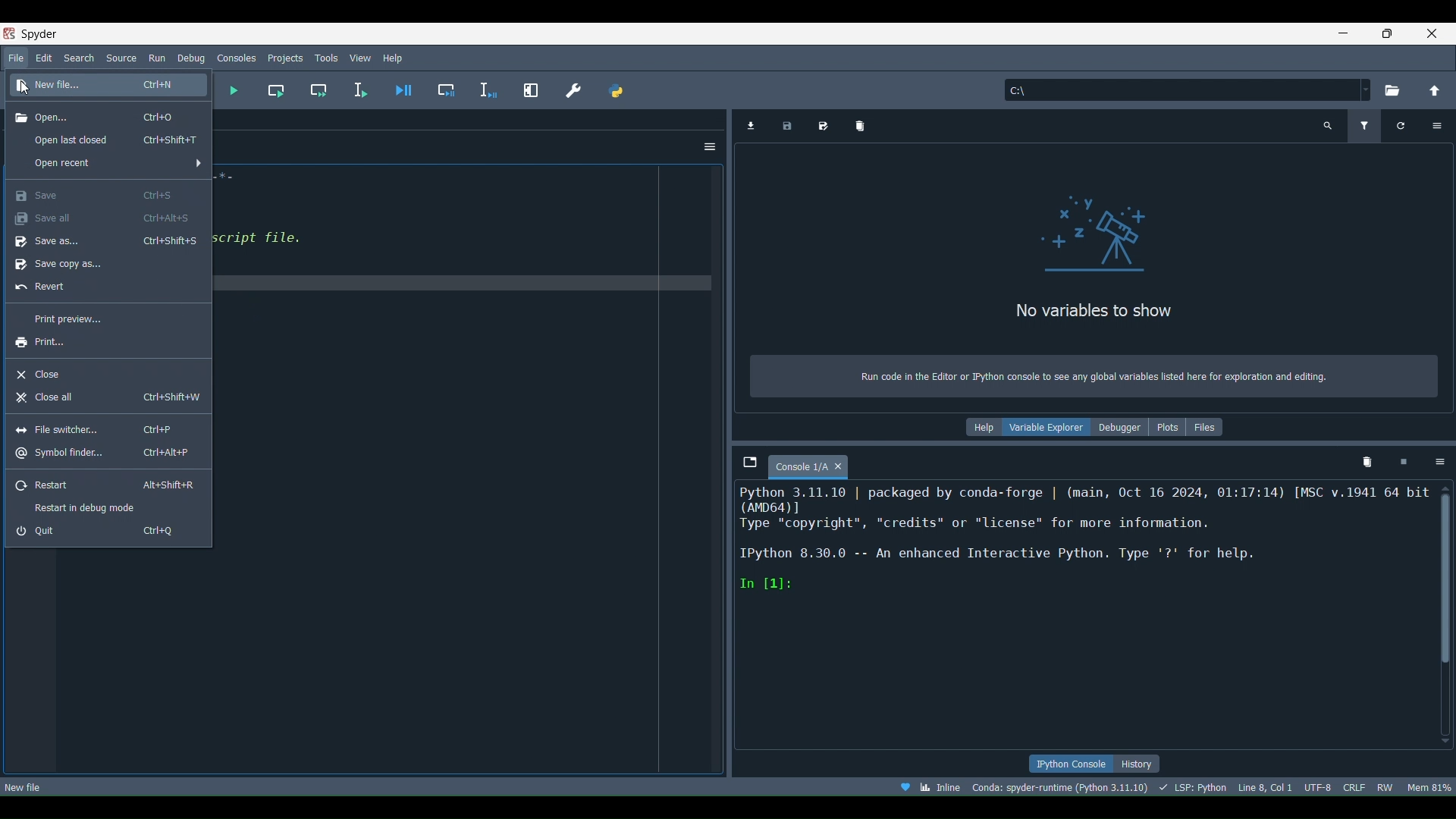  What do you see at coordinates (361, 58) in the screenshot?
I see `View` at bounding box center [361, 58].